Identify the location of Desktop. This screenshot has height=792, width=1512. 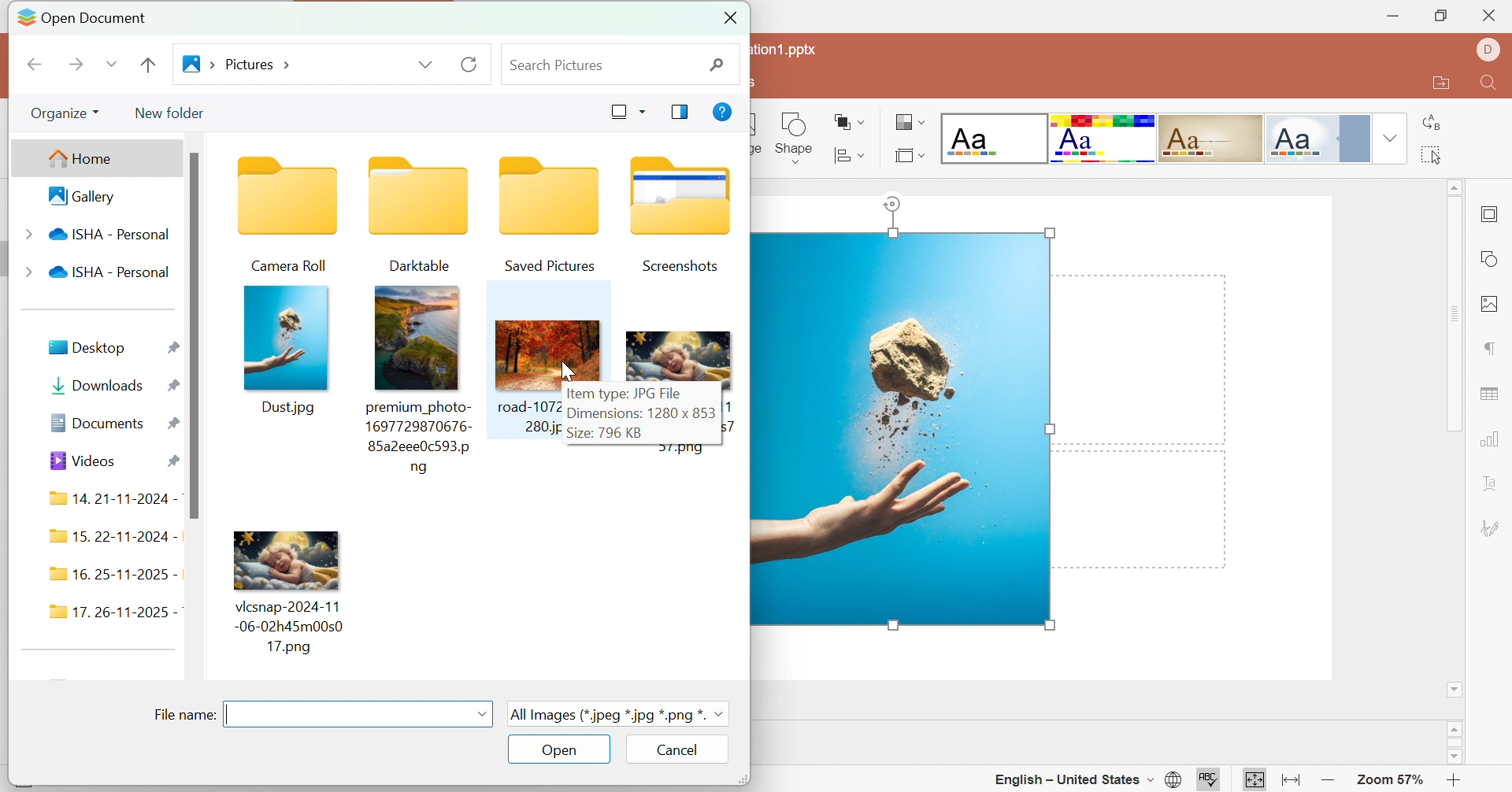
(84, 346).